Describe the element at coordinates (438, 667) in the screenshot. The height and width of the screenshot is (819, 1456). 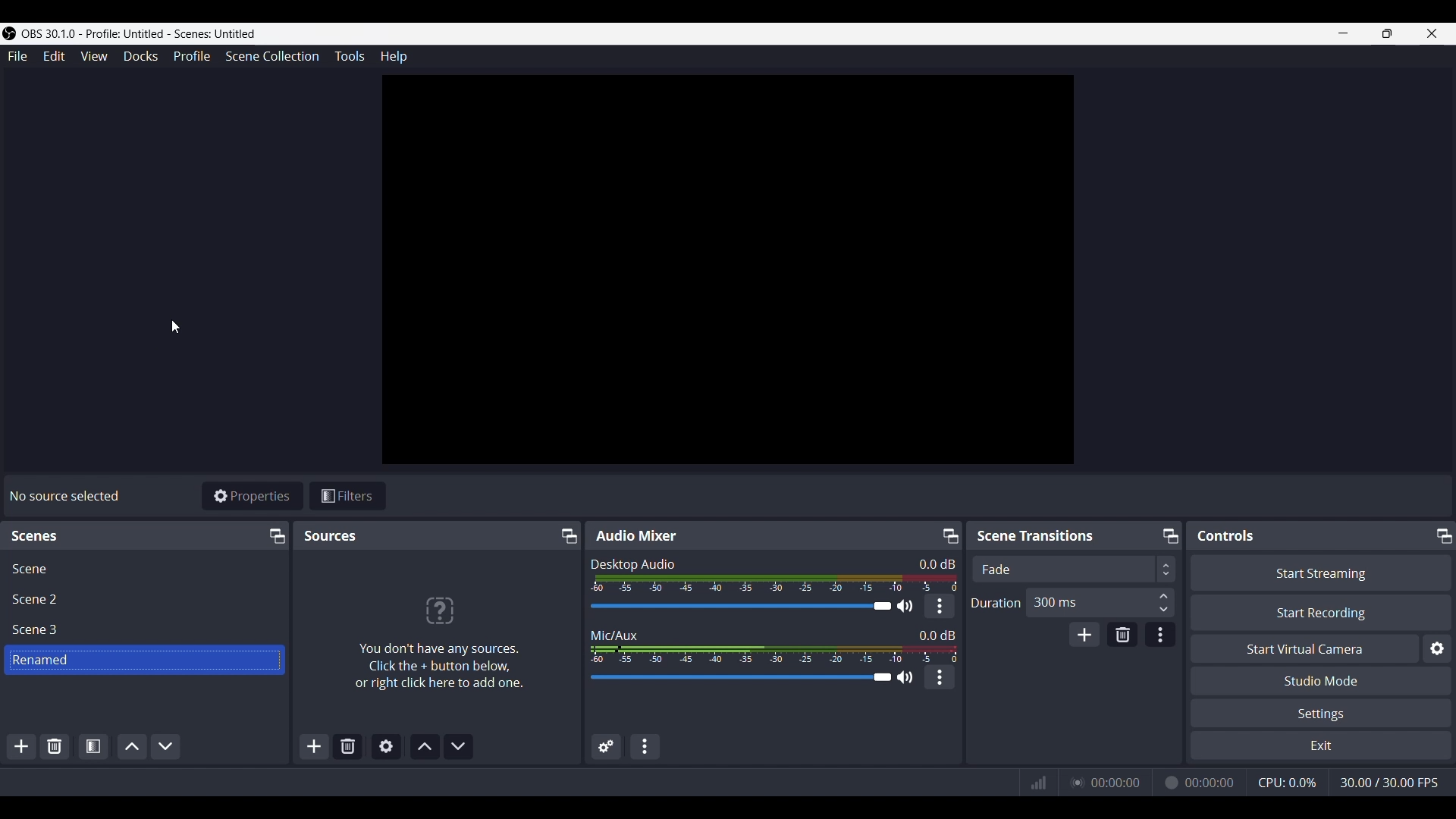
I see `You don't have any sources. Click the + button below, or right click to add one. ` at that location.